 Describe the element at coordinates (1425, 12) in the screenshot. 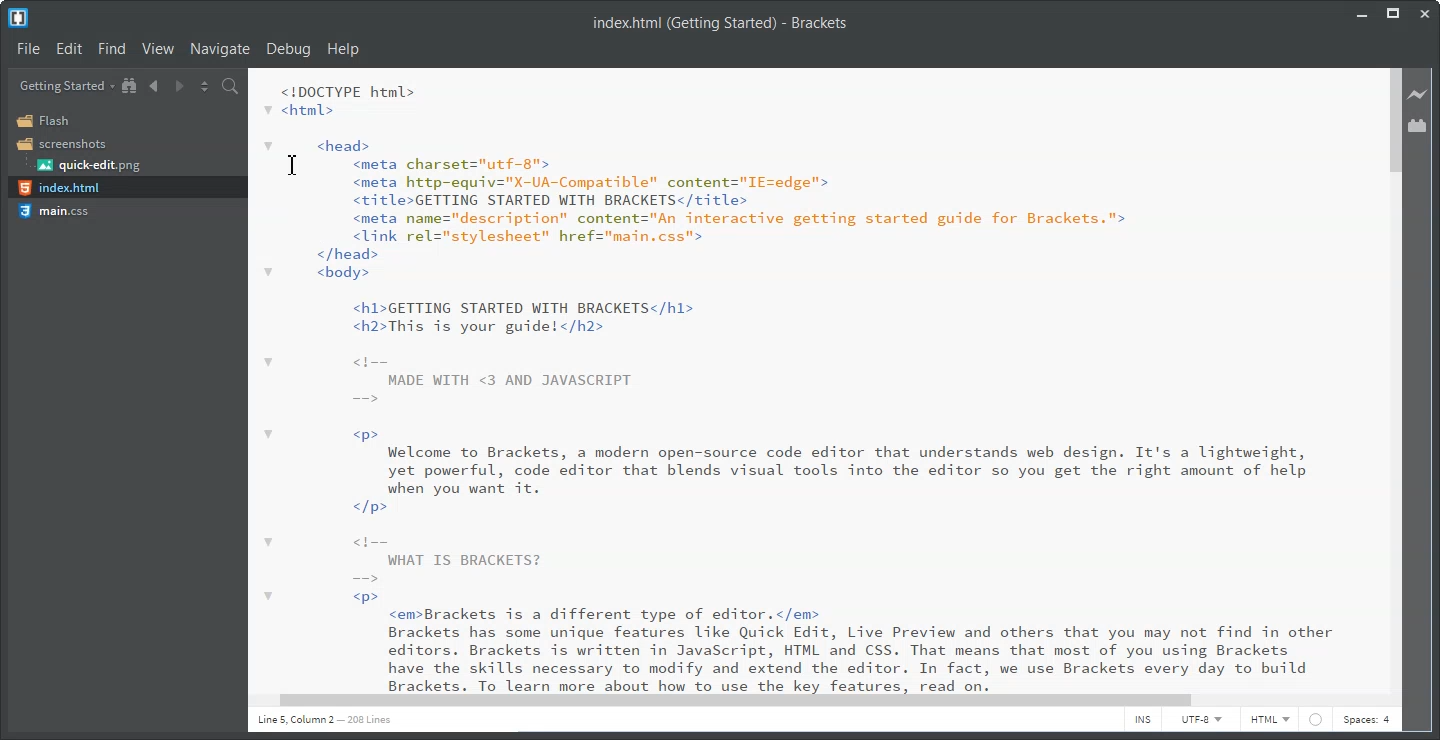

I see `Close` at that location.